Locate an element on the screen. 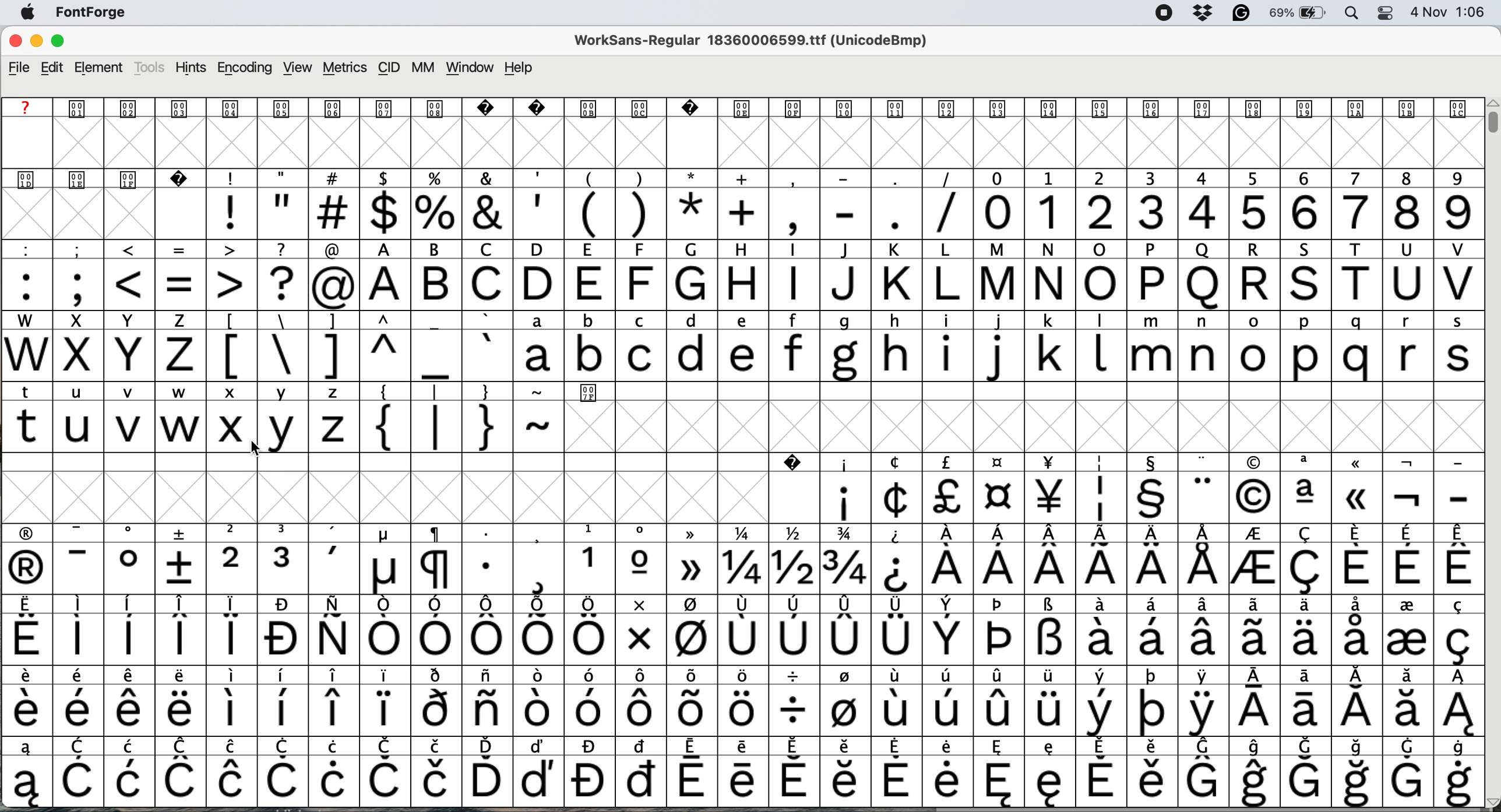 Image resolution: width=1501 pixels, height=812 pixels. system logo is located at coordinates (33, 13).